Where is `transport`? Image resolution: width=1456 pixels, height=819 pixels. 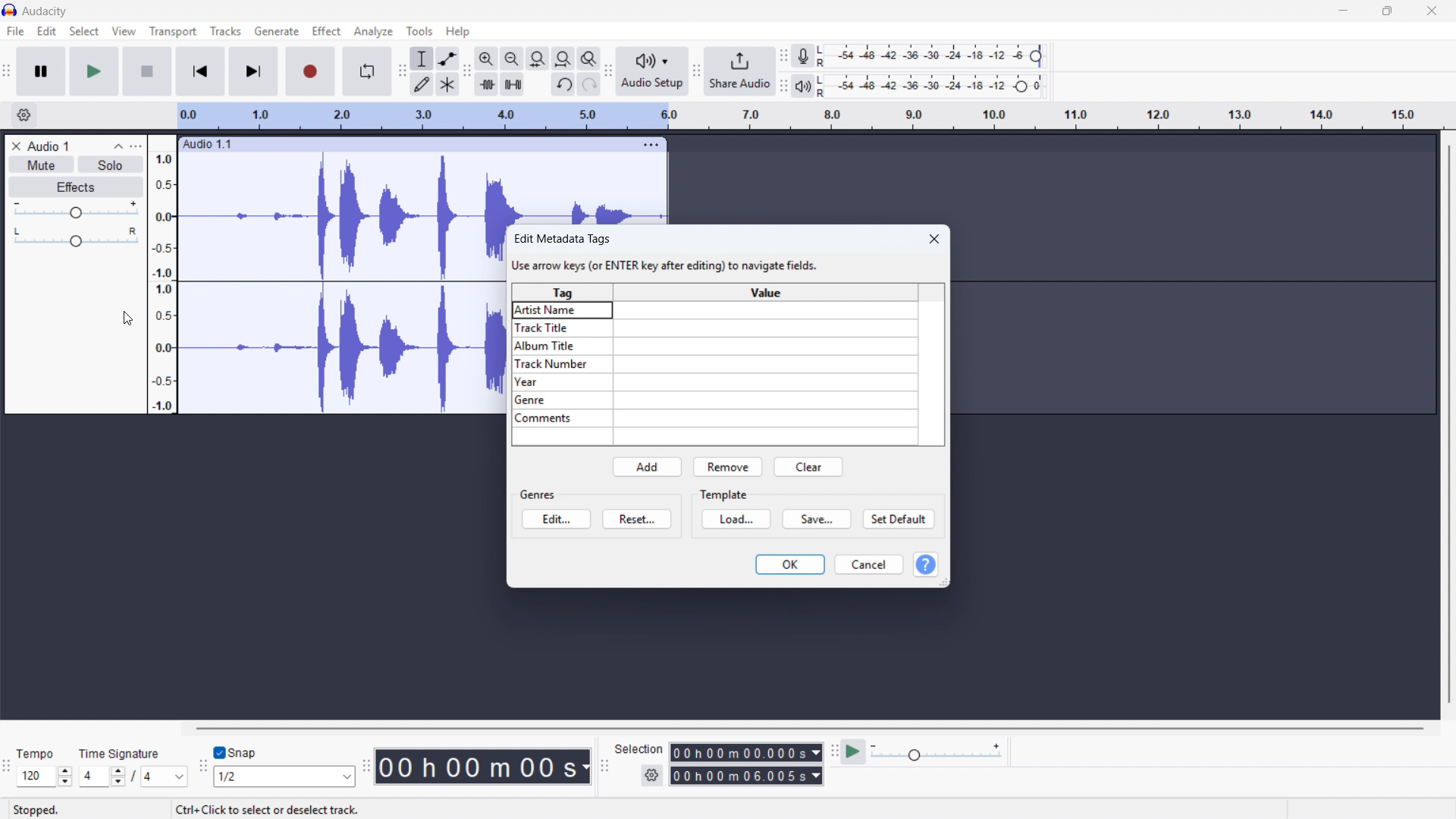 transport is located at coordinates (173, 32).